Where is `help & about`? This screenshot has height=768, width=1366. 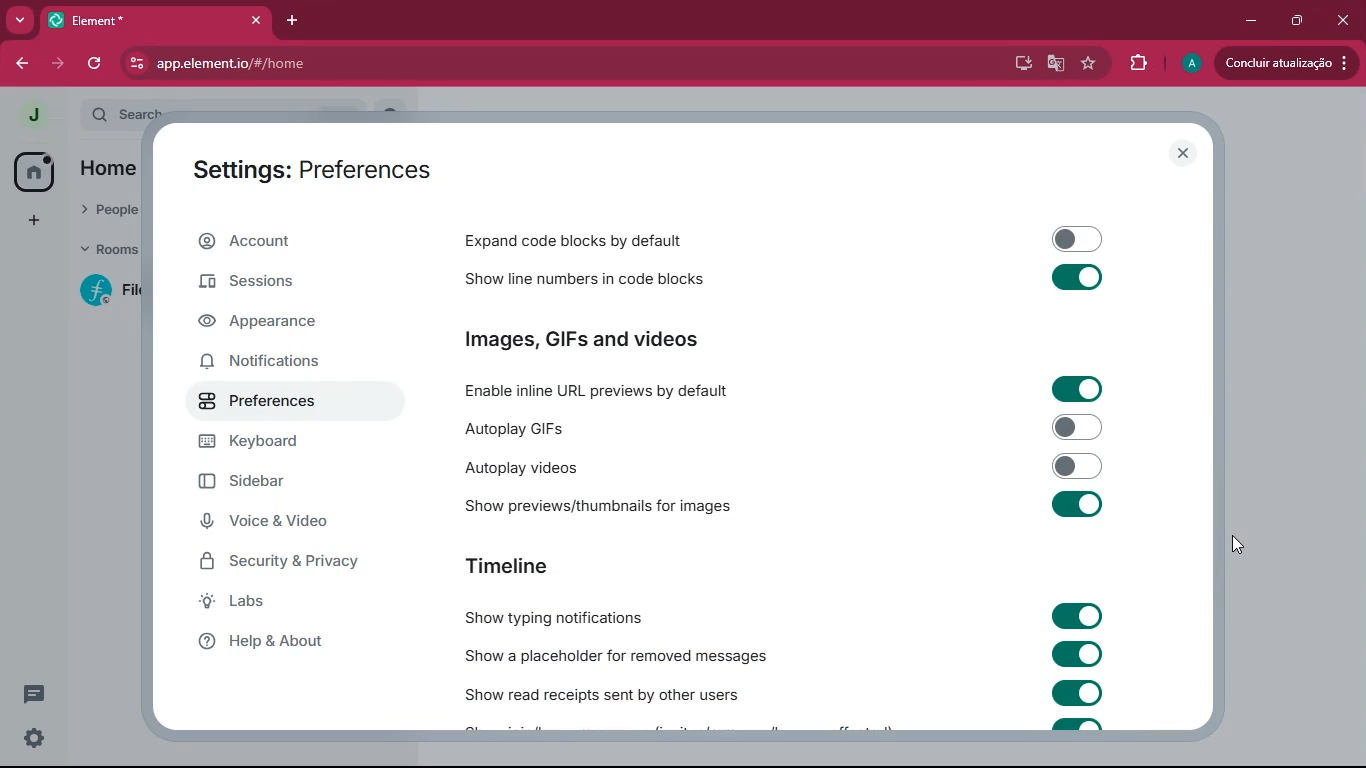
help & about is located at coordinates (284, 642).